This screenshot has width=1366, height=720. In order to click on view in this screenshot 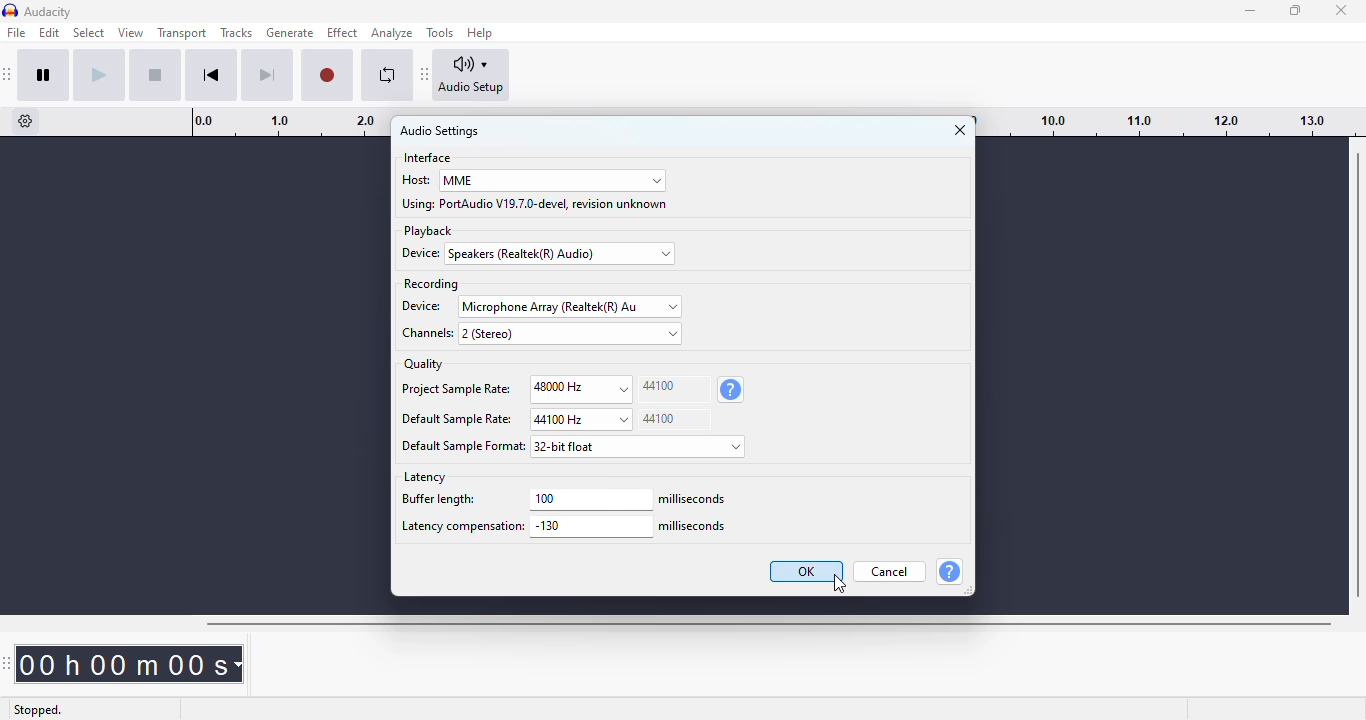, I will do `click(131, 33)`.